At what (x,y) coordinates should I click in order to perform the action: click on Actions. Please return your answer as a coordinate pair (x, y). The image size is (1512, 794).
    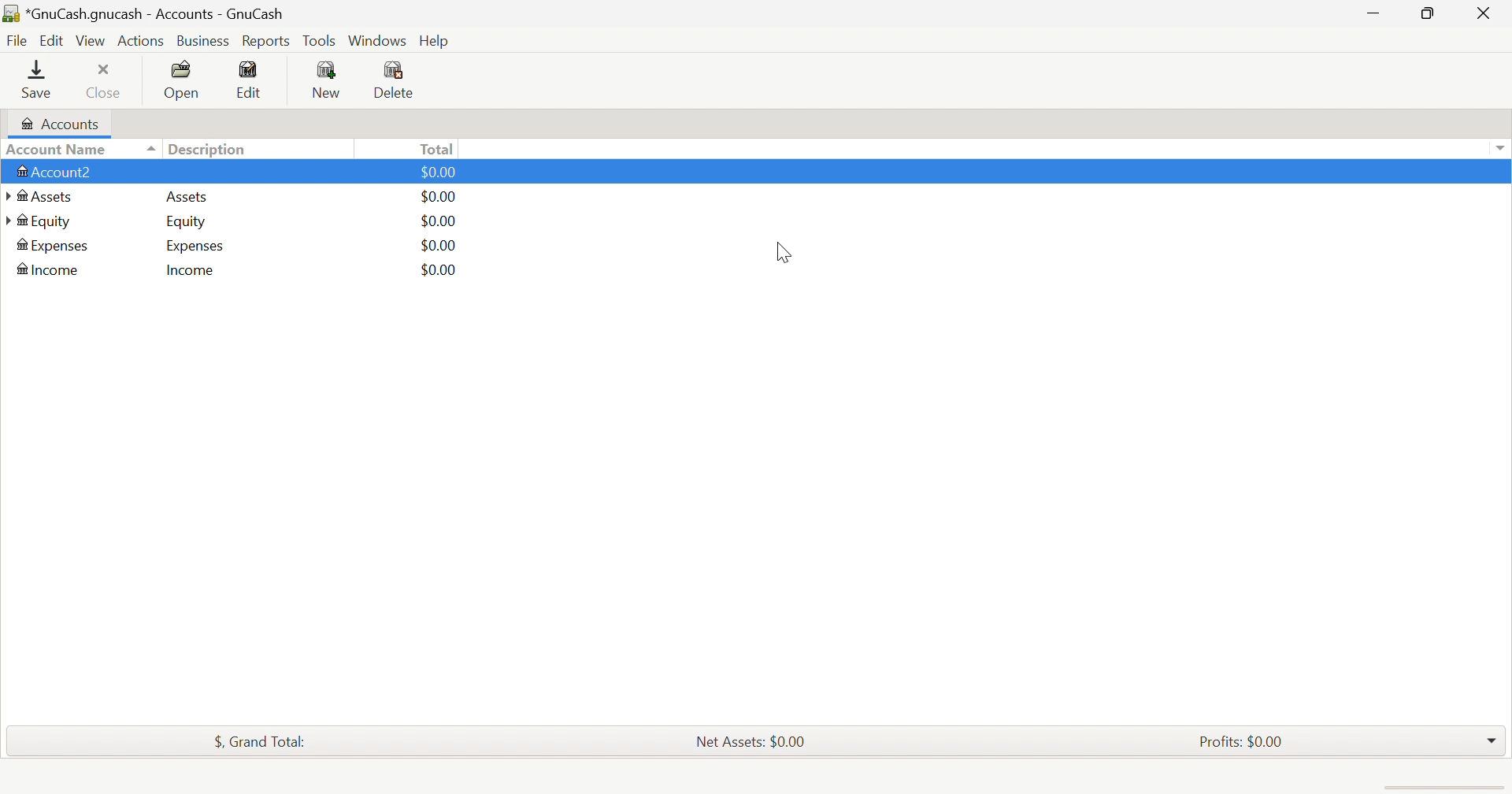
    Looking at the image, I should click on (140, 42).